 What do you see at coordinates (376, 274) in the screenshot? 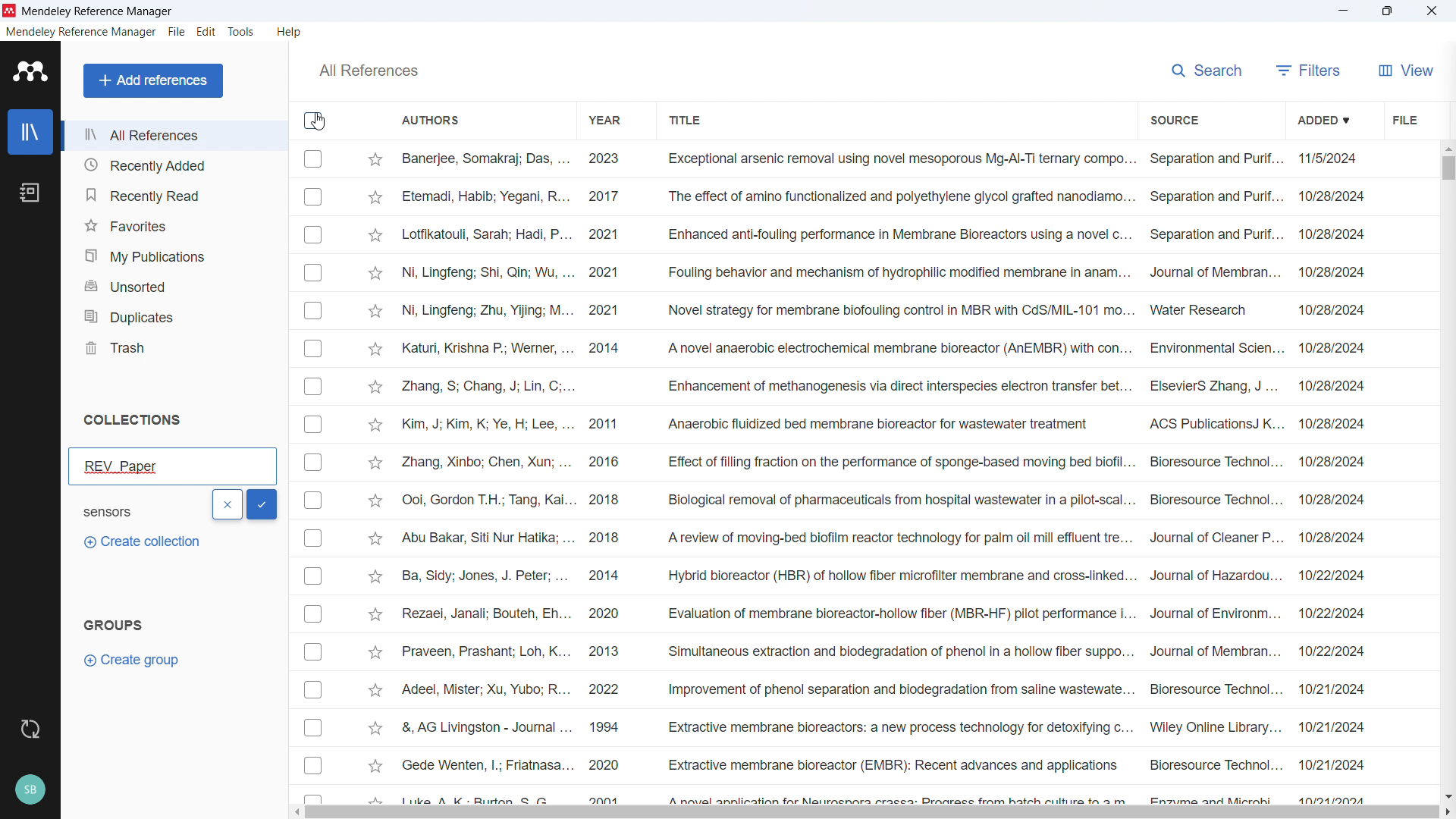
I see `Star mark respective publication` at bounding box center [376, 274].